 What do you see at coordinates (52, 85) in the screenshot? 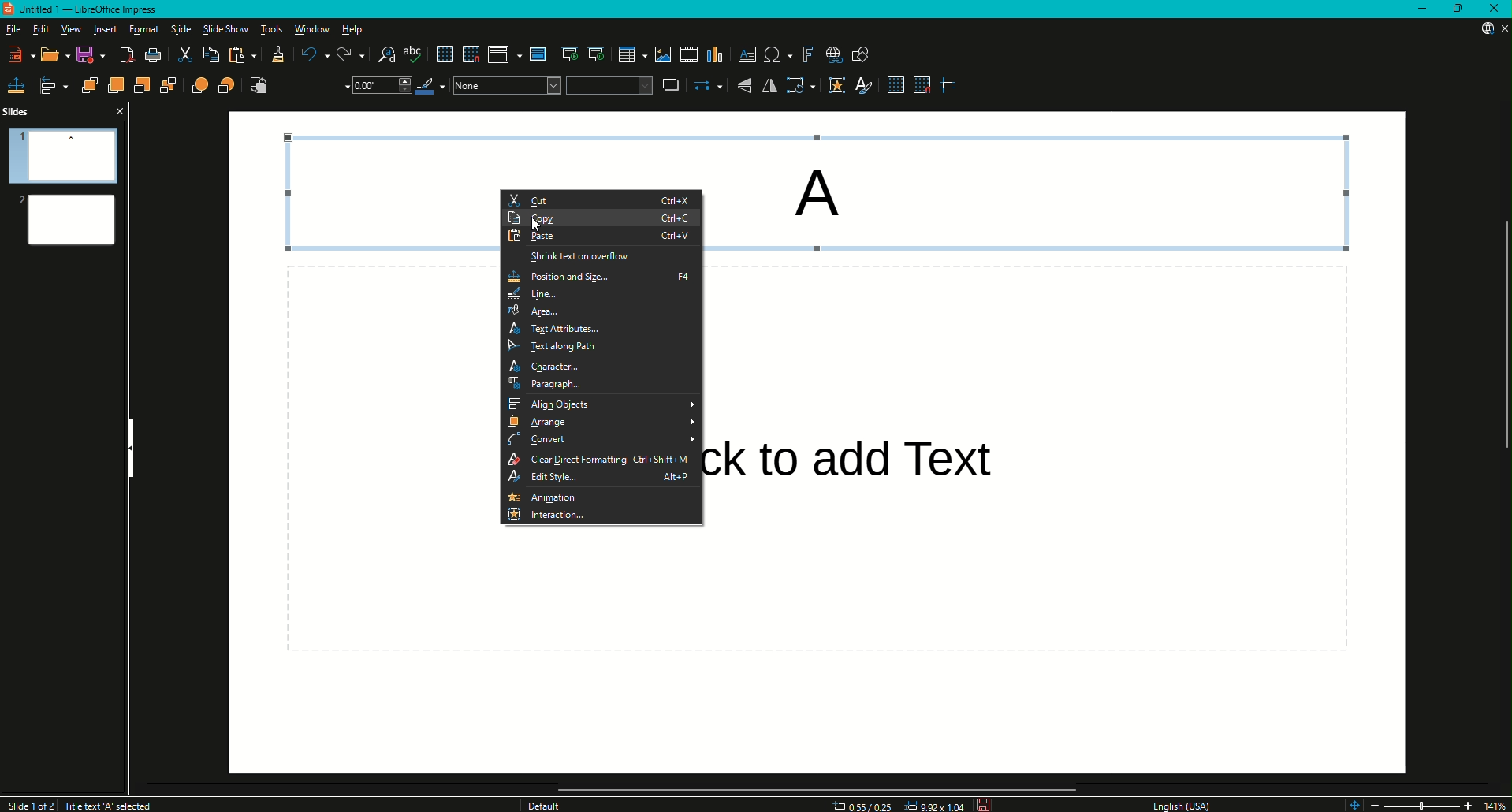
I see `Align Objects` at bounding box center [52, 85].